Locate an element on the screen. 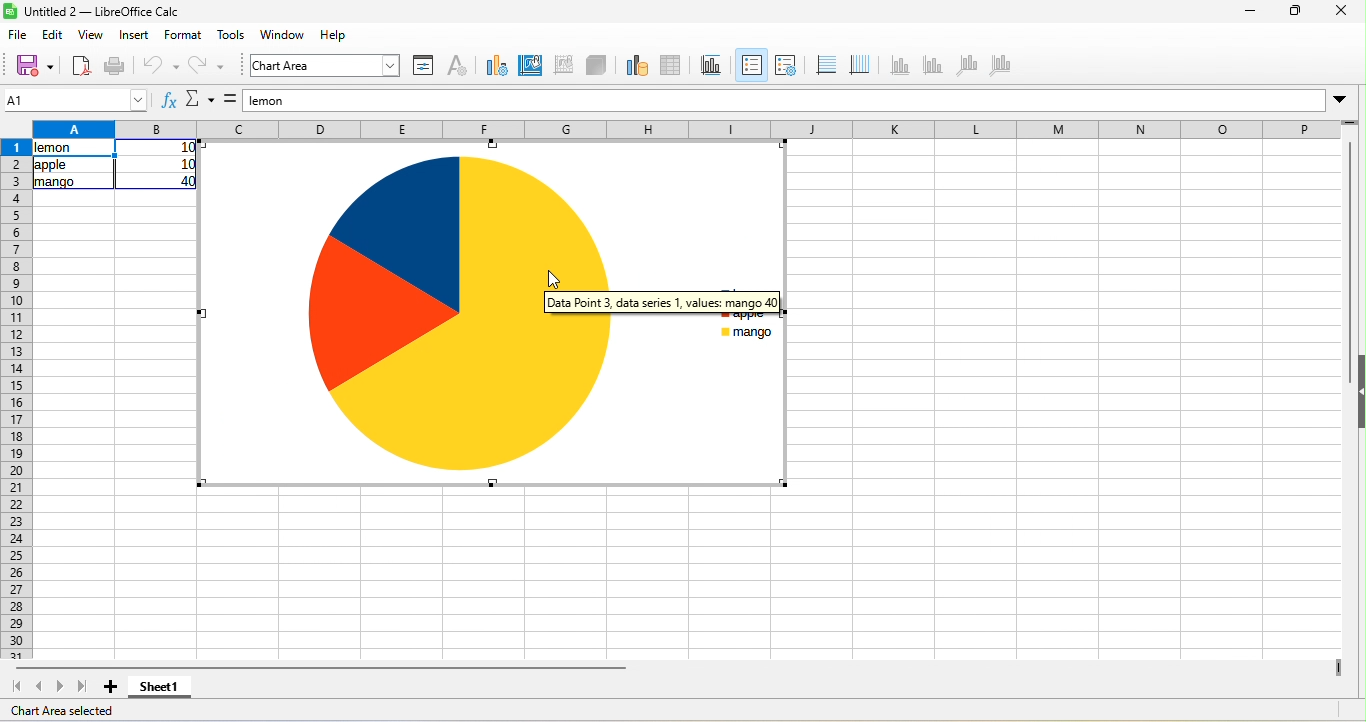  view is located at coordinates (92, 38).